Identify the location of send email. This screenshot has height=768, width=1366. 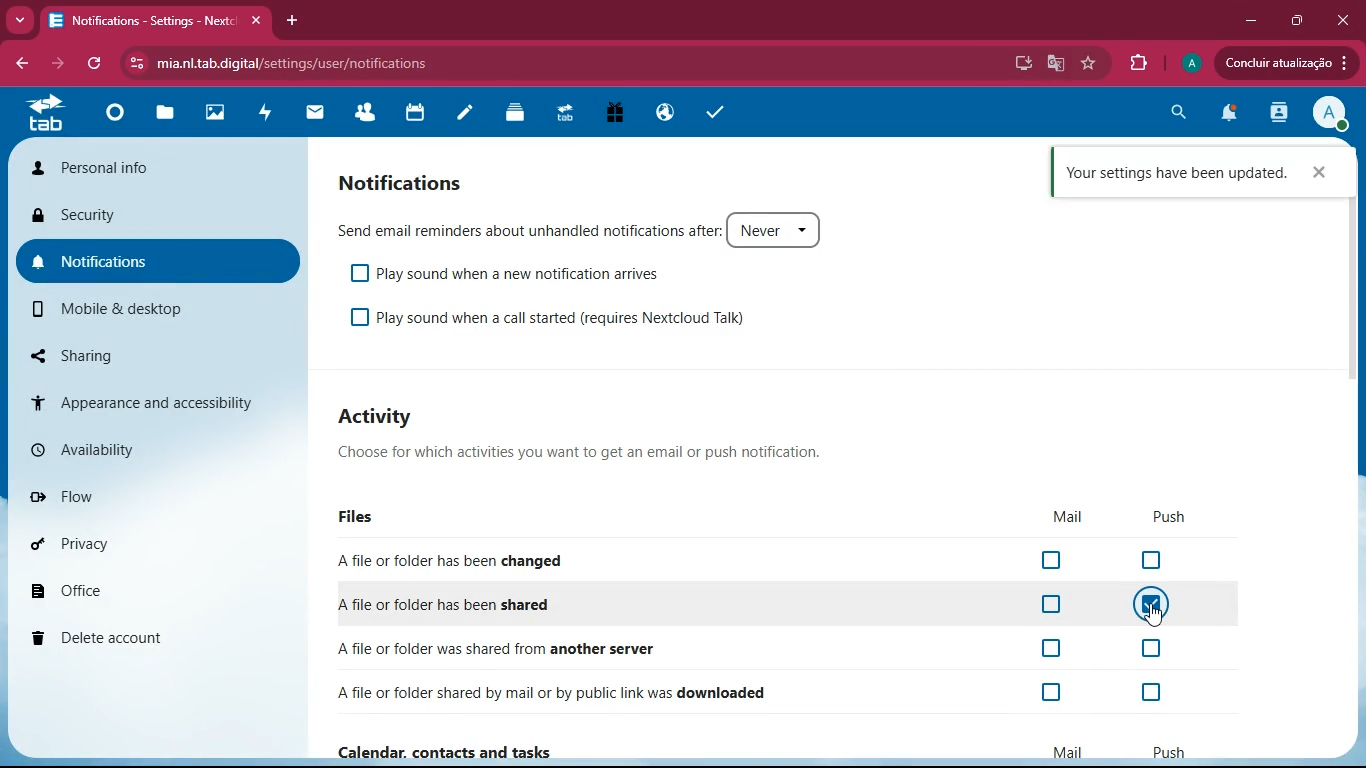
(524, 230).